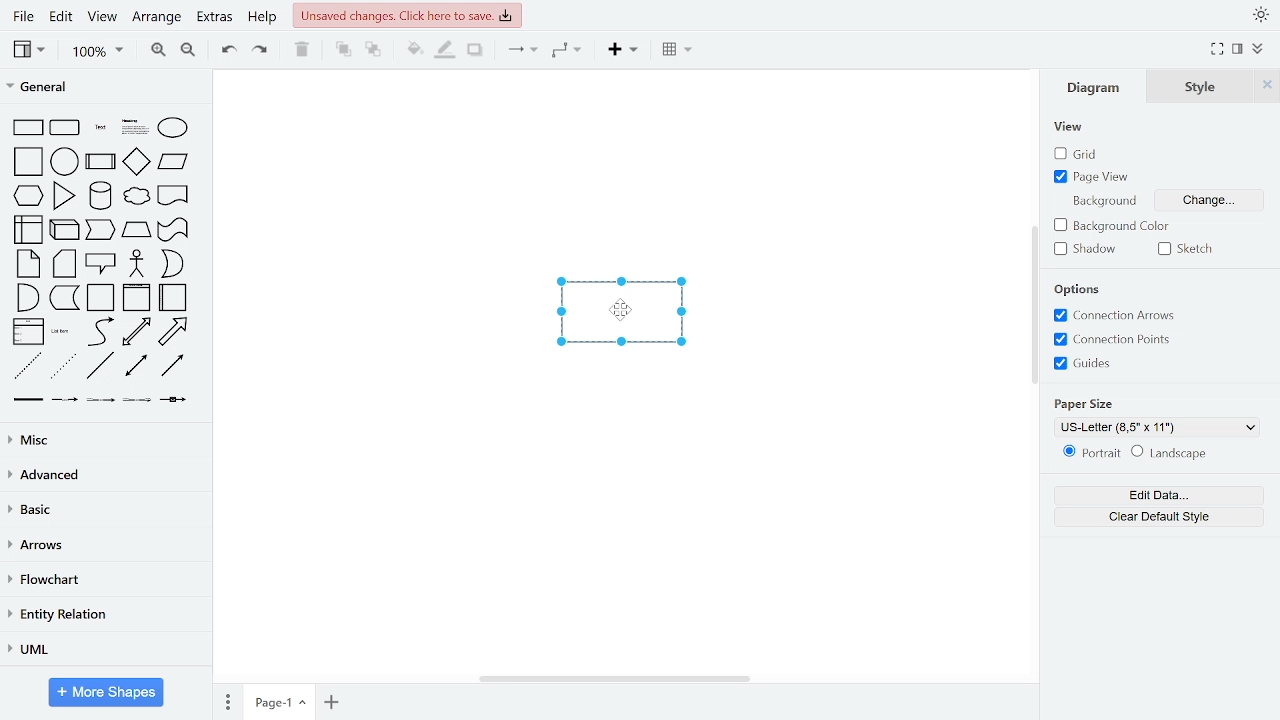 This screenshot has height=720, width=1280. I want to click on unsaved changes . Click here to save, so click(407, 15).